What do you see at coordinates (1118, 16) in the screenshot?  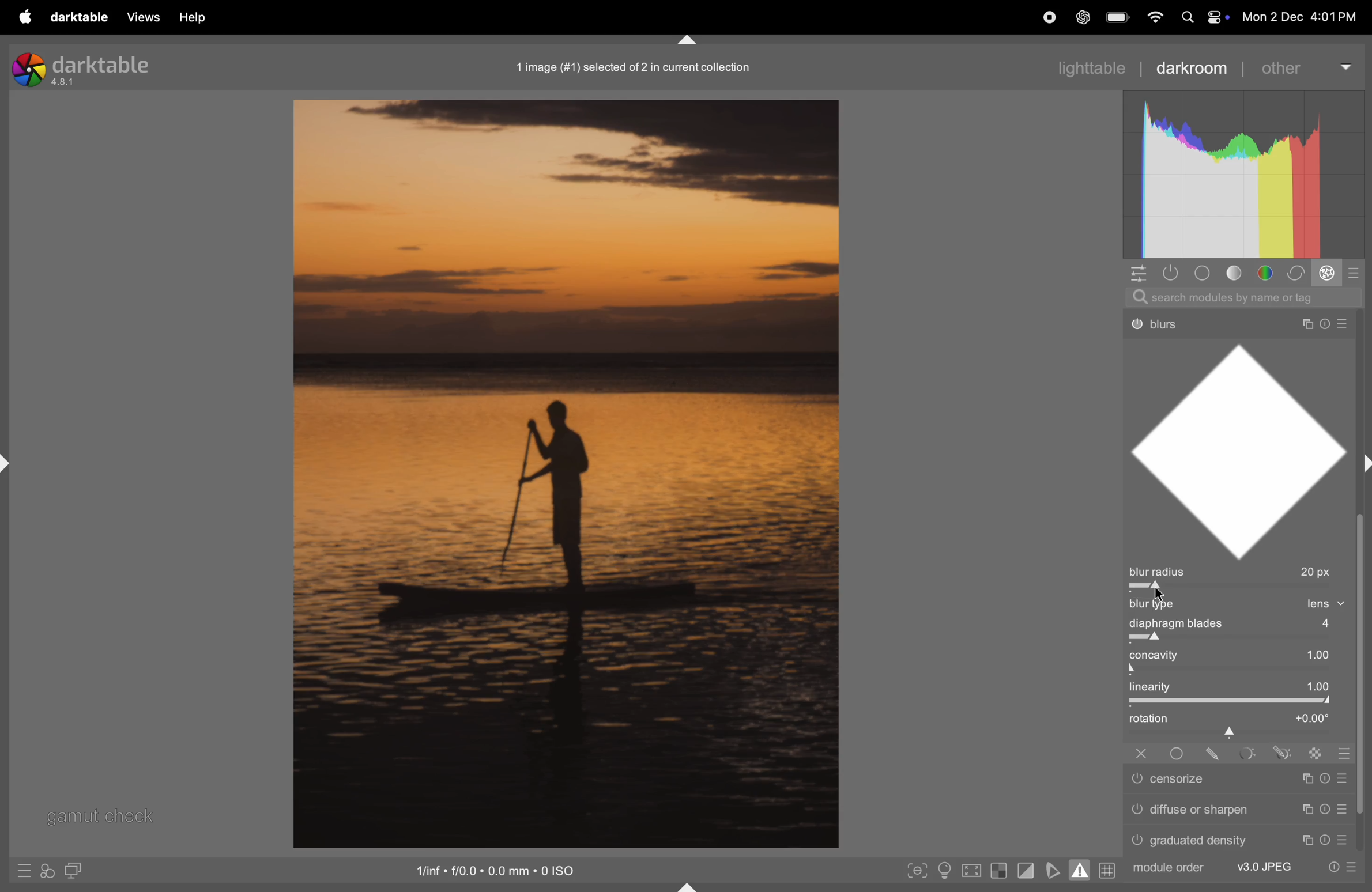 I see `battery` at bounding box center [1118, 16].